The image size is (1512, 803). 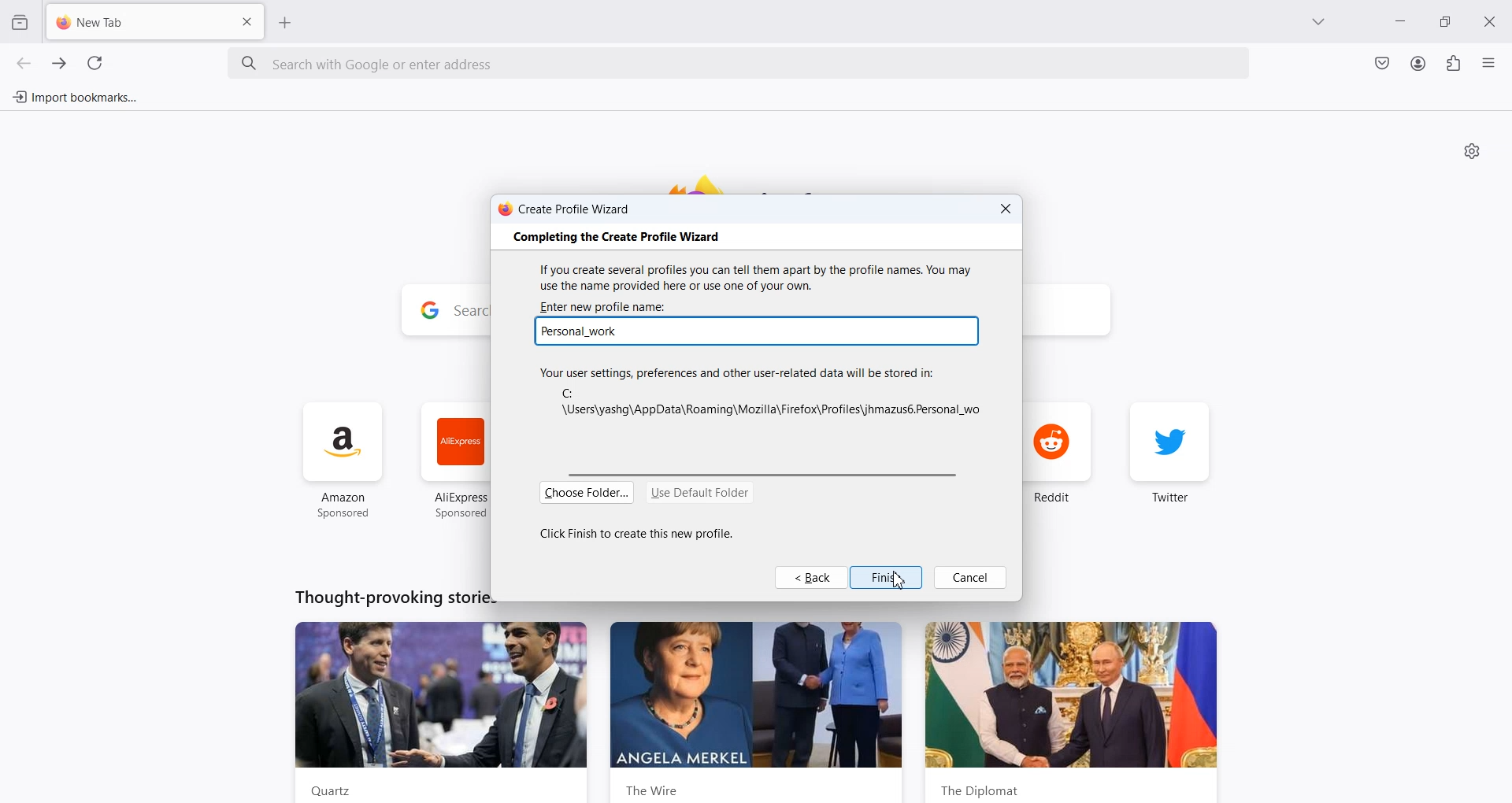 I want to click on Cancel, so click(x=970, y=577).